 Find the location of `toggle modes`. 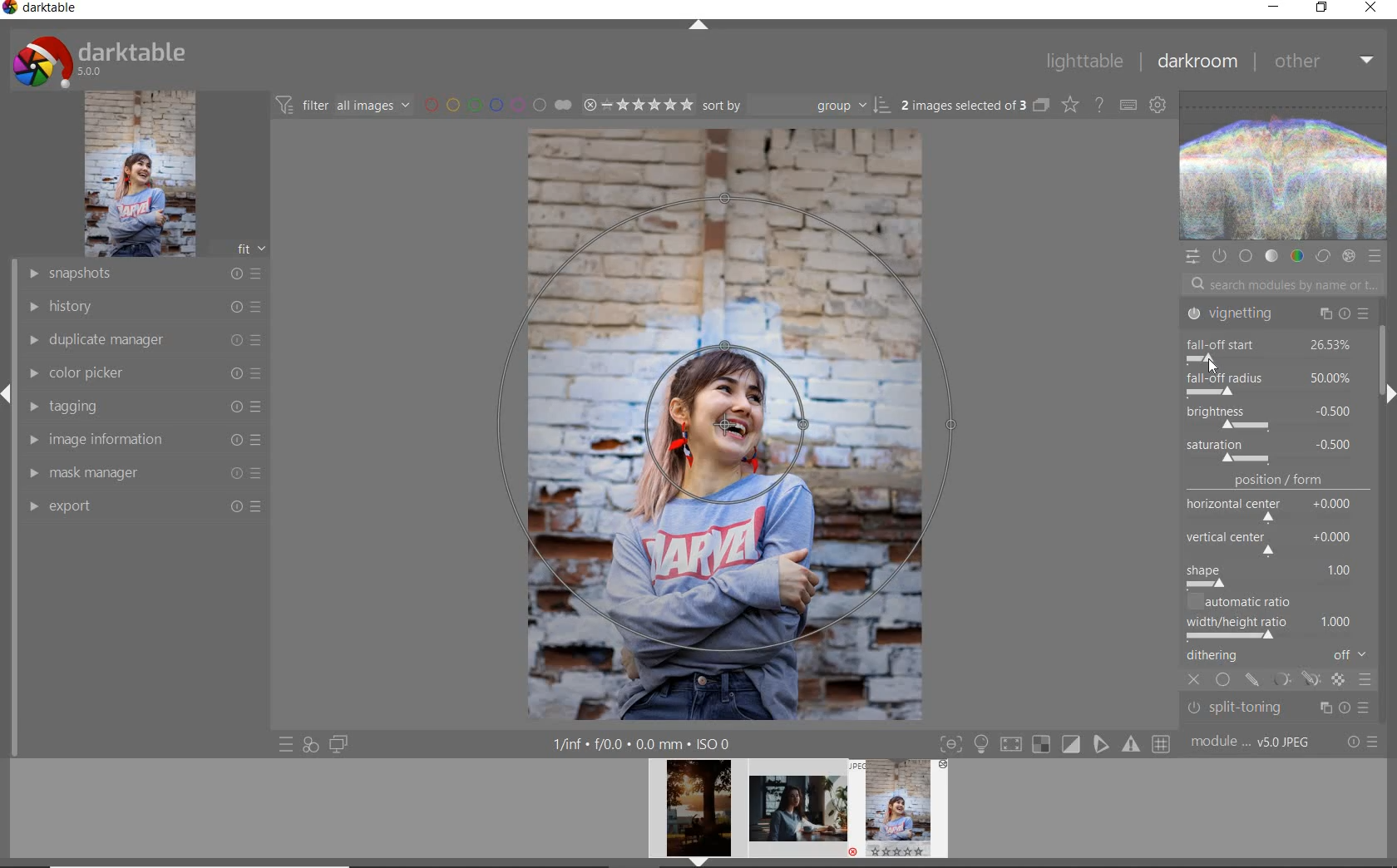

toggle modes is located at coordinates (1055, 742).